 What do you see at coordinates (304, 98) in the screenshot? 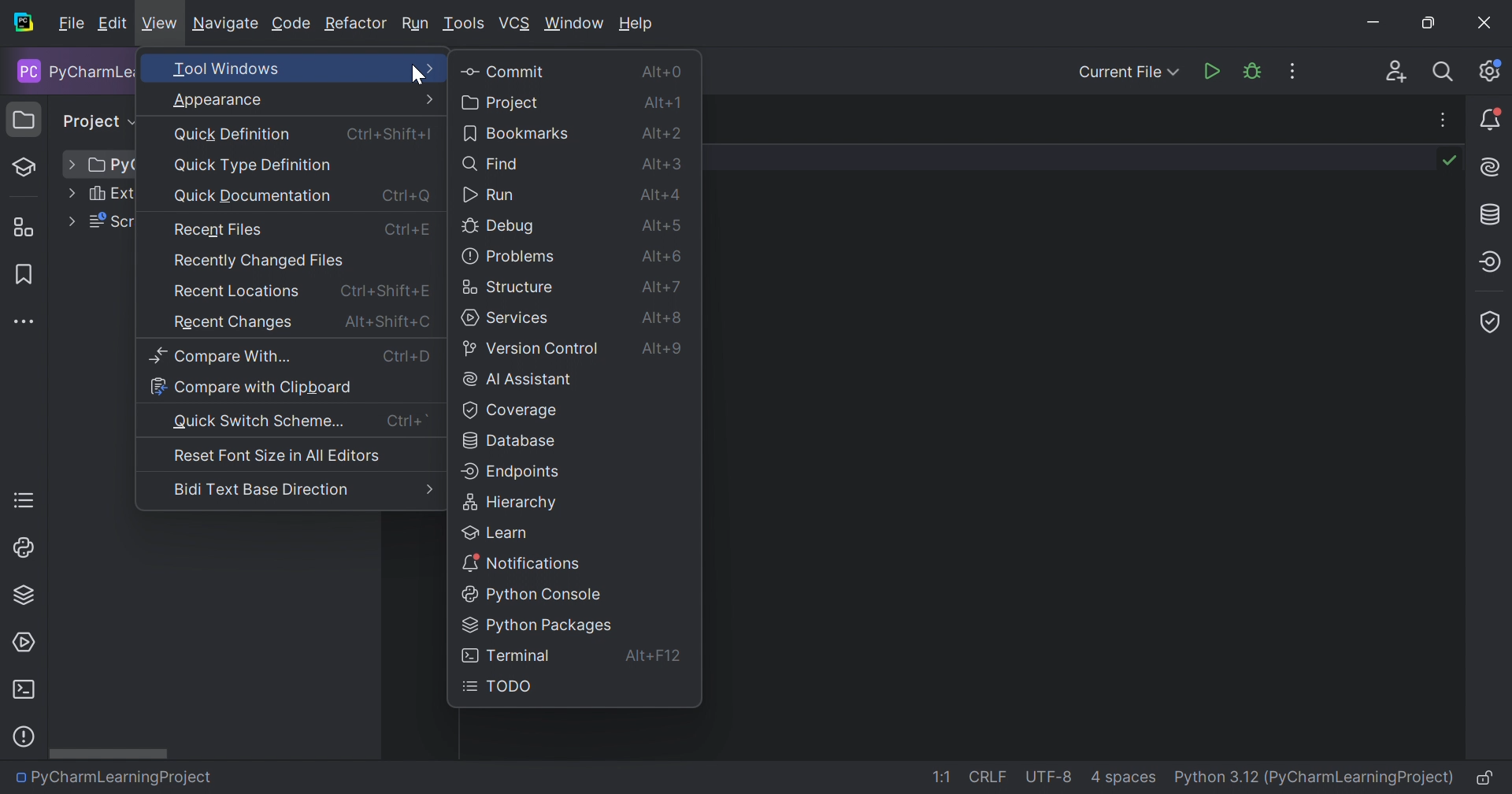
I see `Appearance` at bounding box center [304, 98].